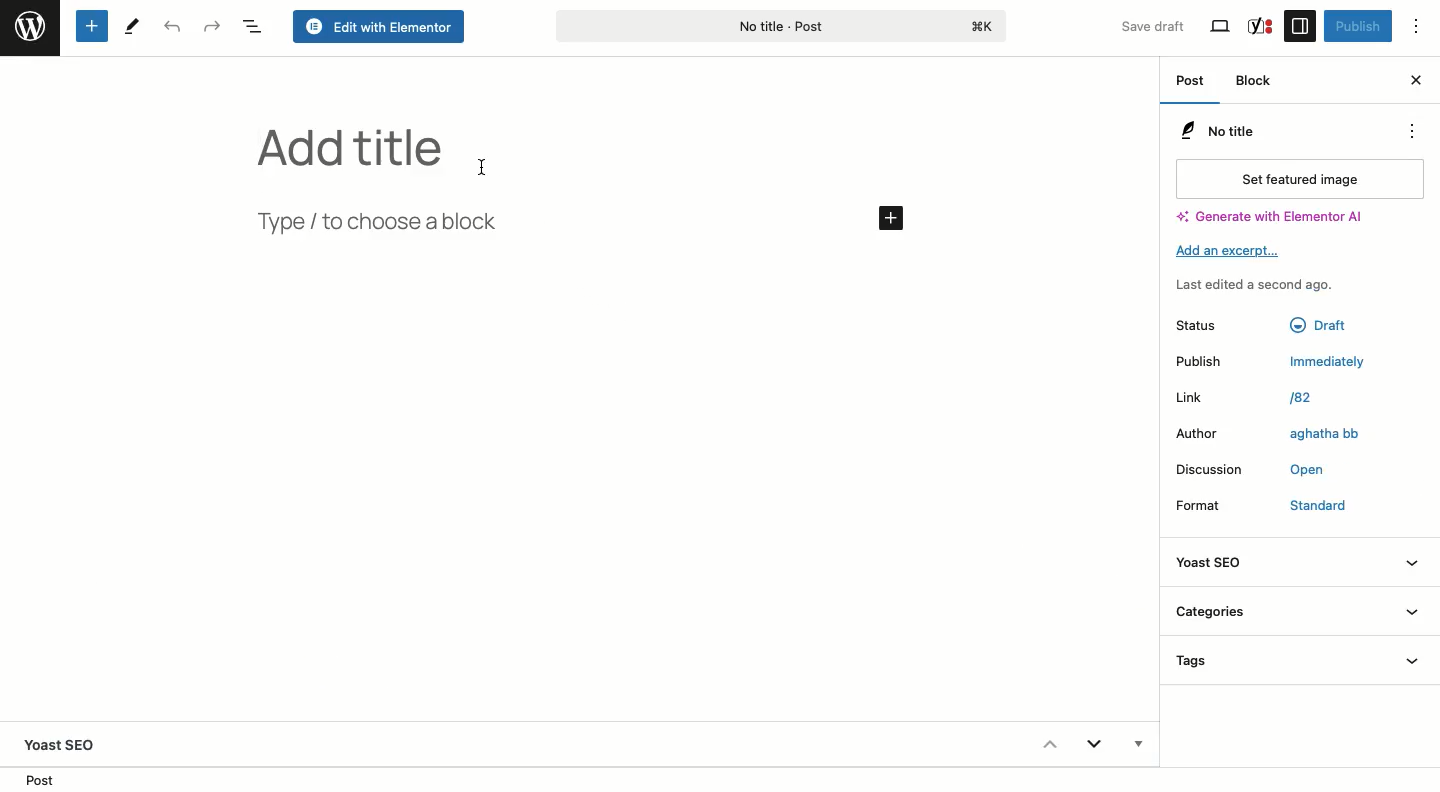 The height and width of the screenshot is (792, 1440). What do you see at coordinates (1222, 27) in the screenshot?
I see `View` at bounding box center [1222, 27].